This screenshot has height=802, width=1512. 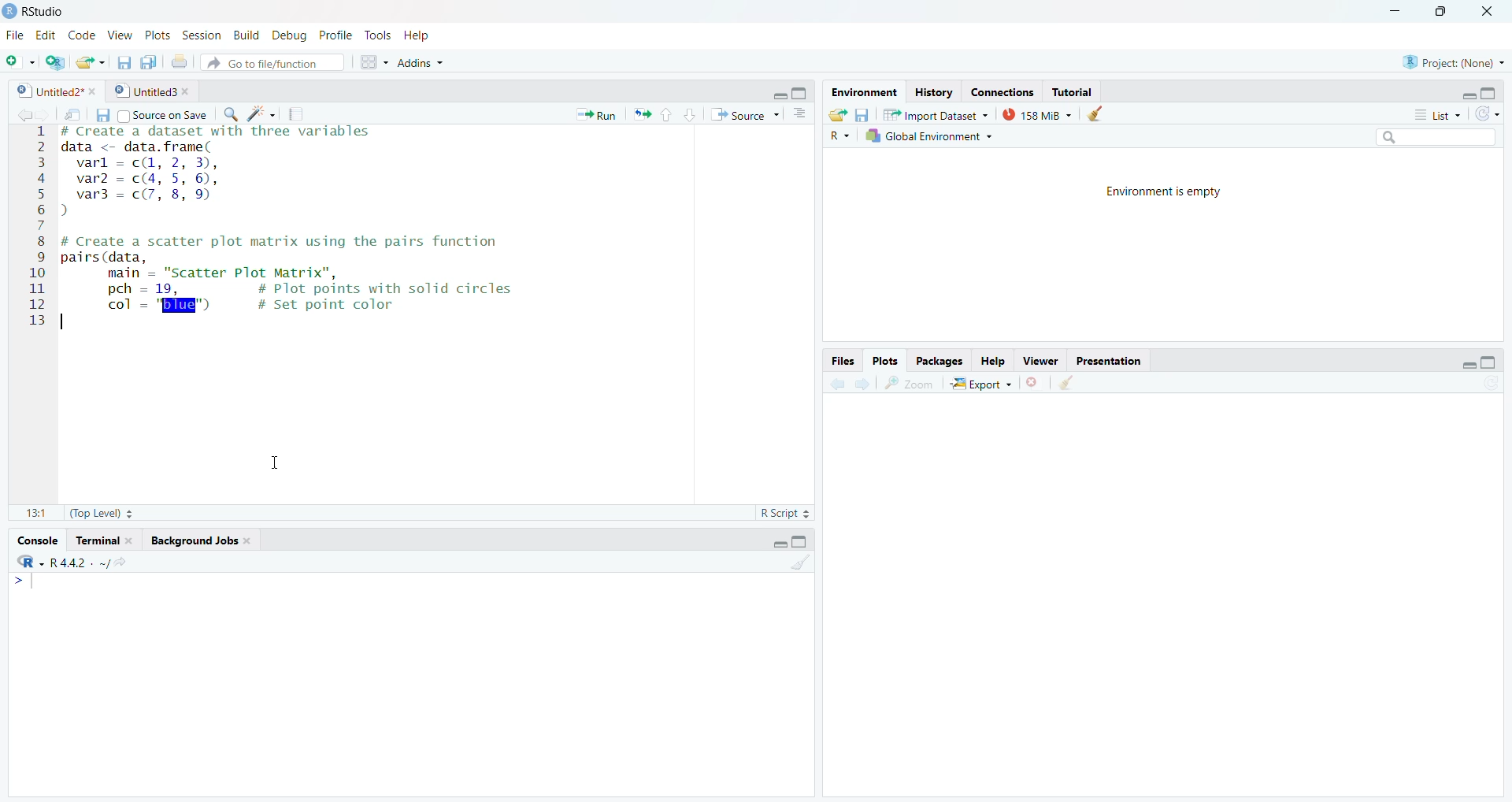 What do you see at coordinates (272, 62) in the screenshot?
I see `A Go to file/function` at bounding box center [272, 62].